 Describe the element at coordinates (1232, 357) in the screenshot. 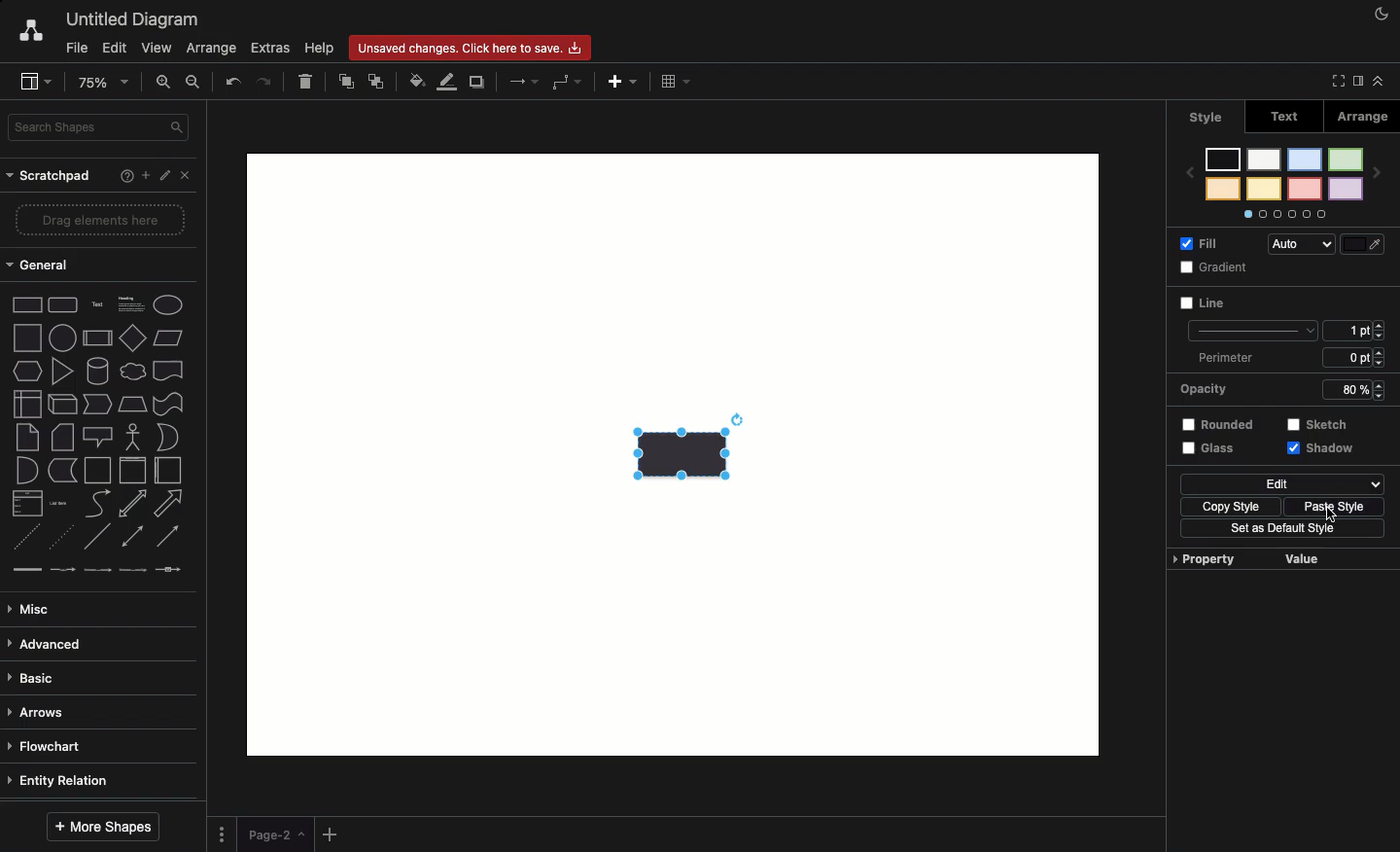

I see `Perimeter` at that location.